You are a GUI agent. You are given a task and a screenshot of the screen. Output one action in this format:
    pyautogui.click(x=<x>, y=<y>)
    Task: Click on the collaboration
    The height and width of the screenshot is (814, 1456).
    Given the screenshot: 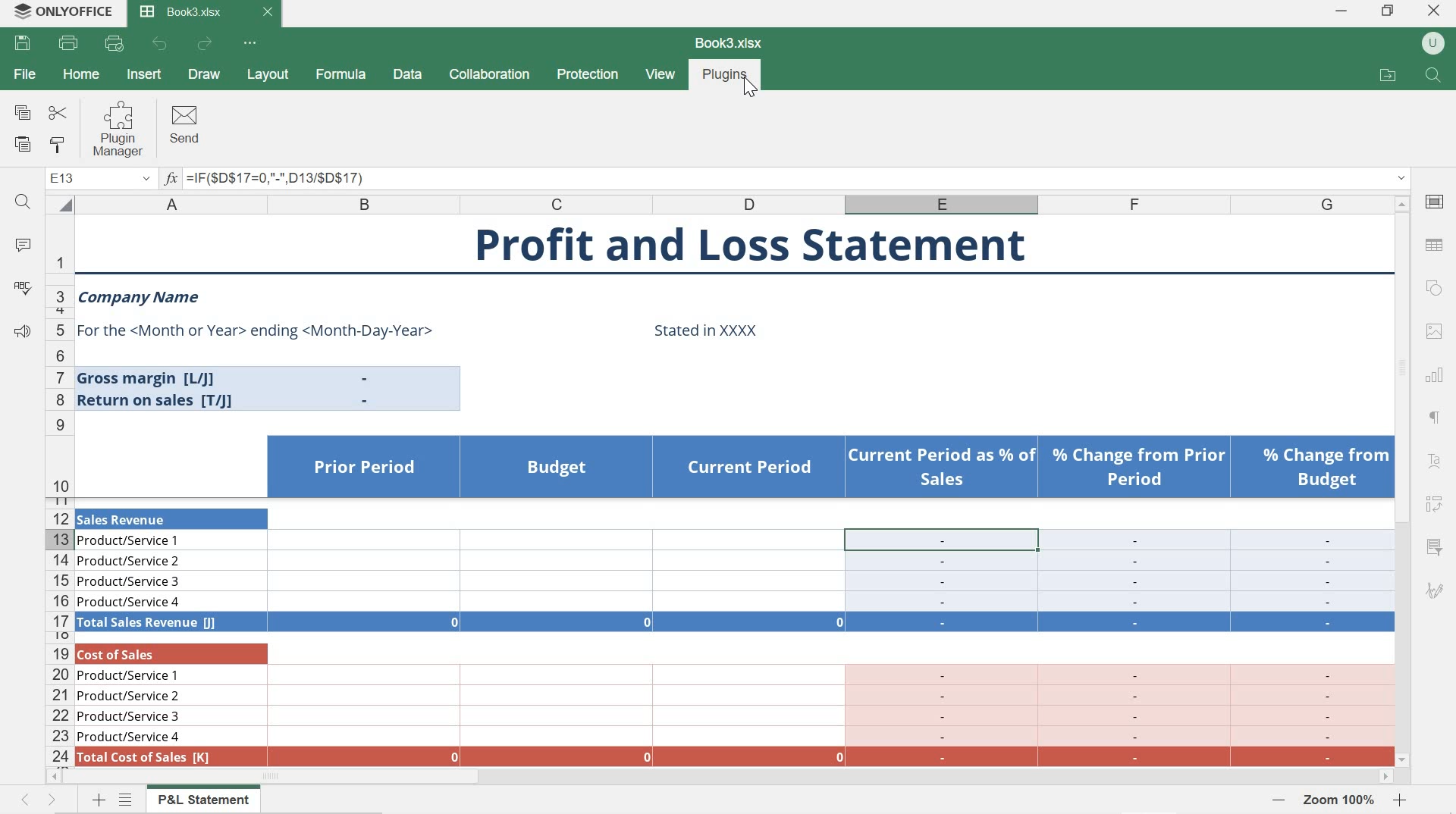 What is the action you would take?
    pyautogui.click(x=488, y=74)
    